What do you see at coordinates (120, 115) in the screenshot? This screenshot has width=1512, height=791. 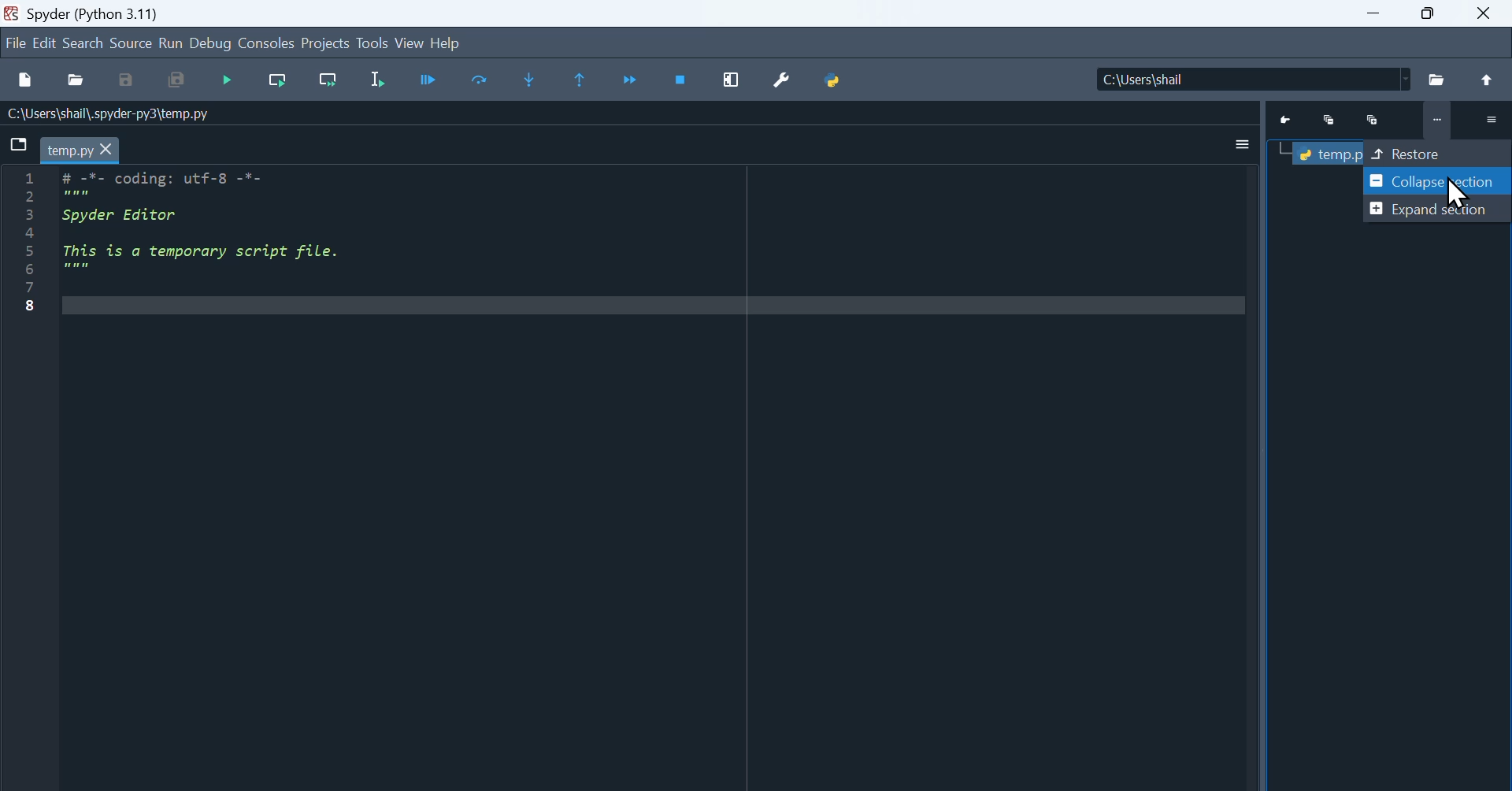 I see `C:\Users\shail\.spyder-py3\temp.py` at bounding box center [120, 115].